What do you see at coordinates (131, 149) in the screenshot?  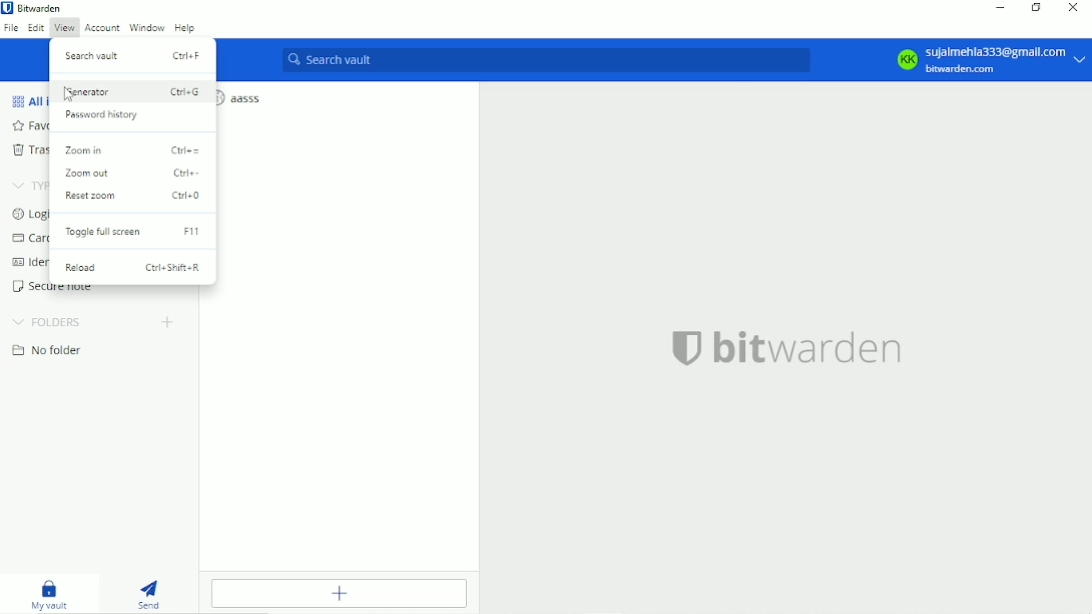 I see `Zoom in` at bounding box center [131, 149].